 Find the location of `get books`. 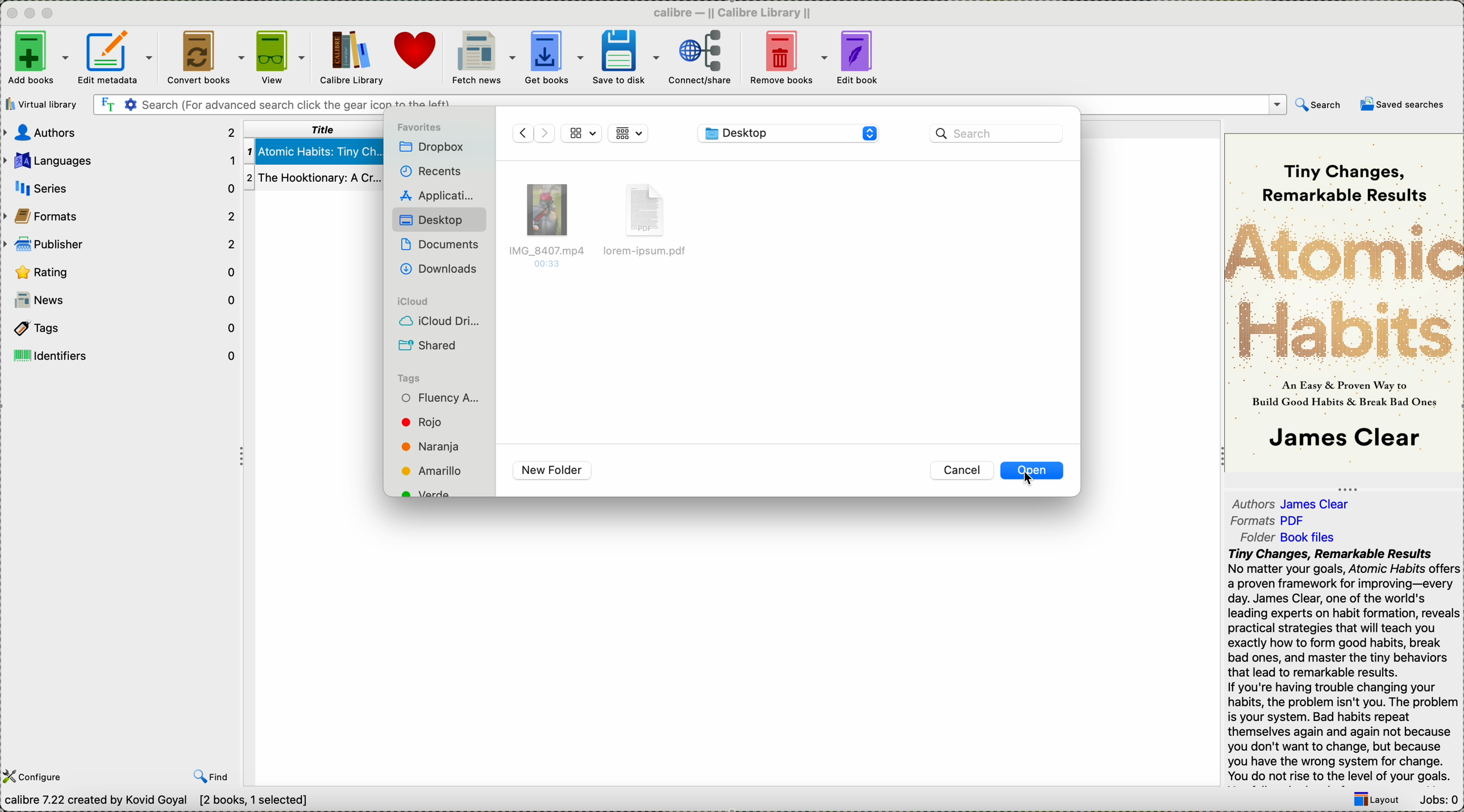

get books is located at coordinates (552, 57).